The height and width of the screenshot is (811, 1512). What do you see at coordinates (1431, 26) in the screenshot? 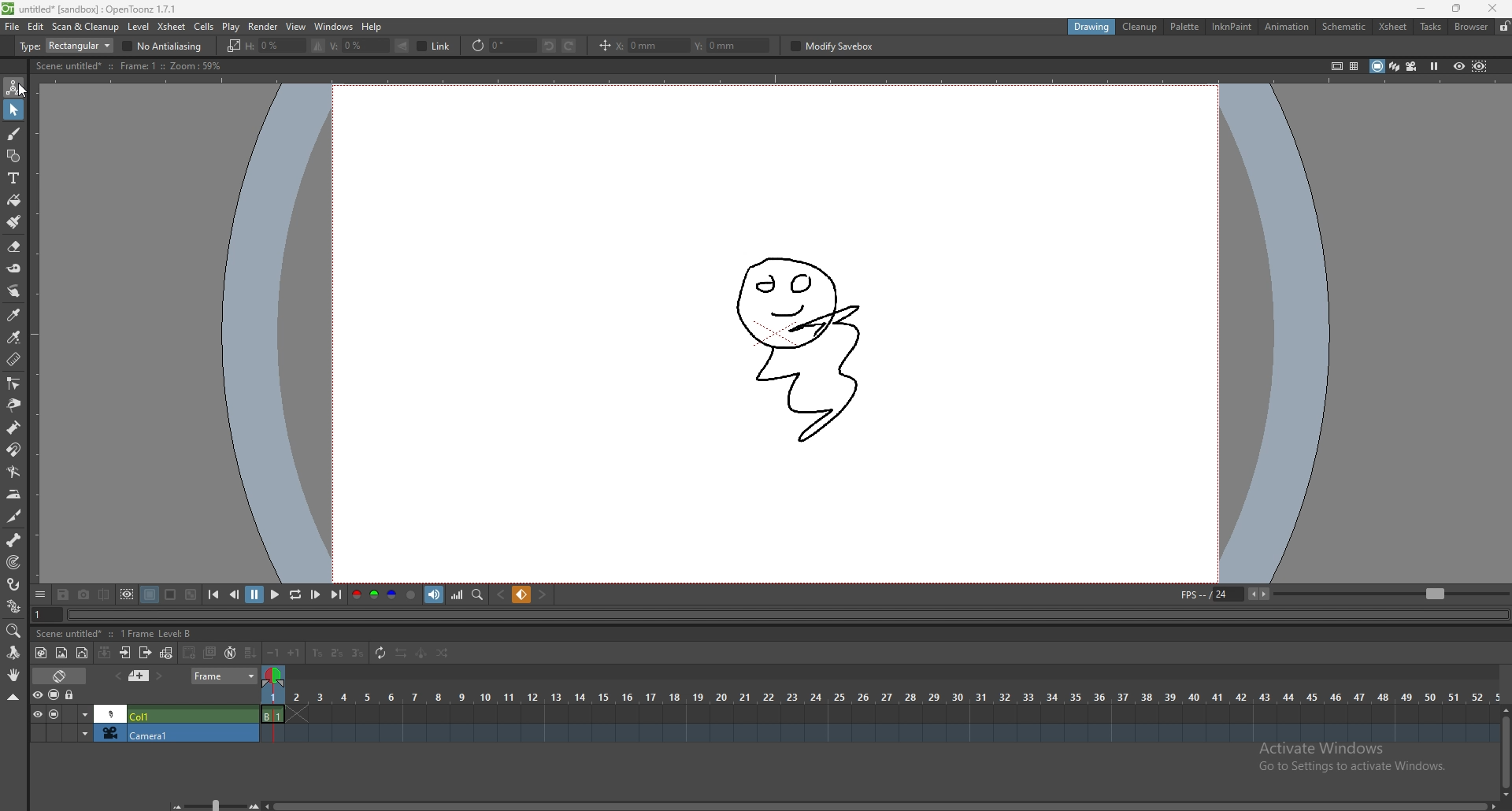
I see `tasks` at bounding box center [1431, 26].